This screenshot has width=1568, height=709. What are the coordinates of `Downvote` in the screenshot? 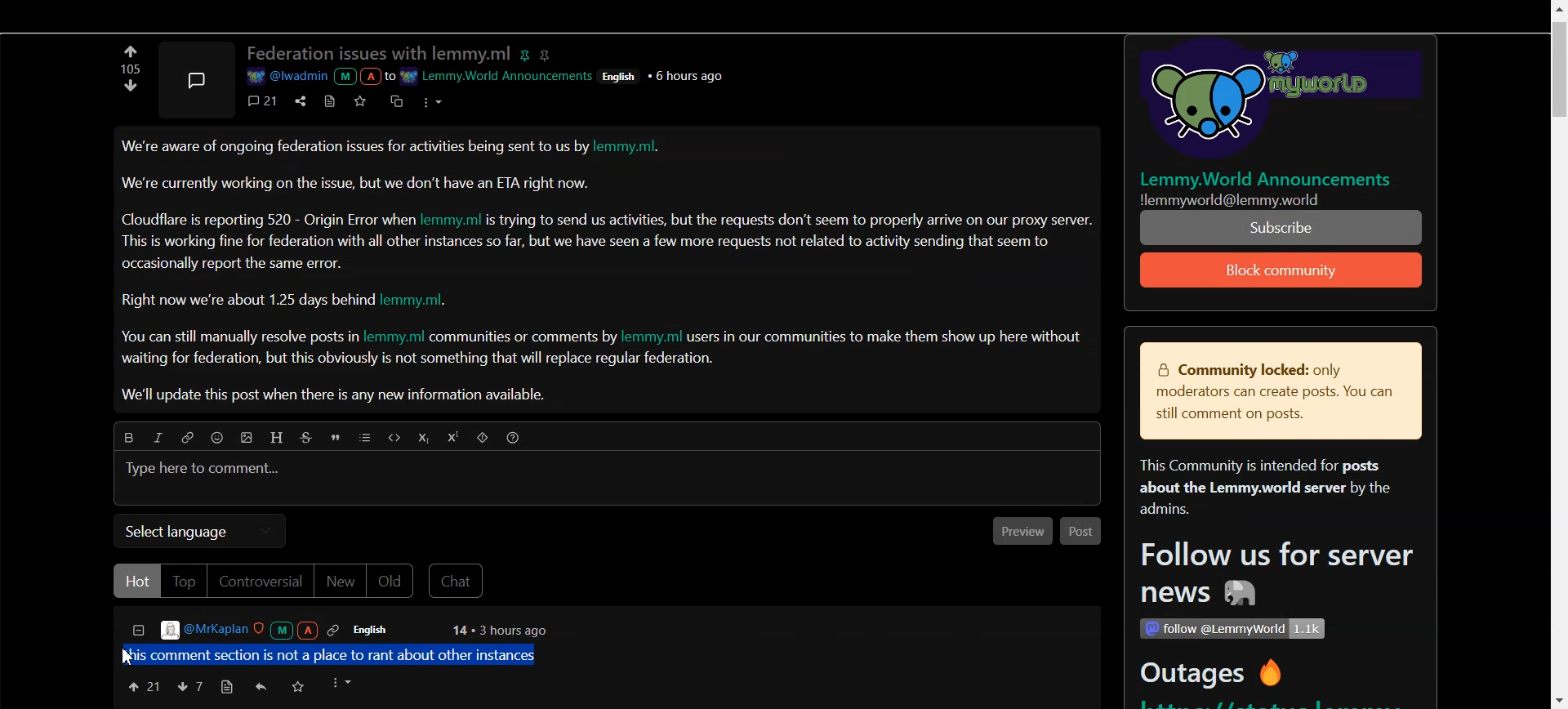 It's located at (189, 686).